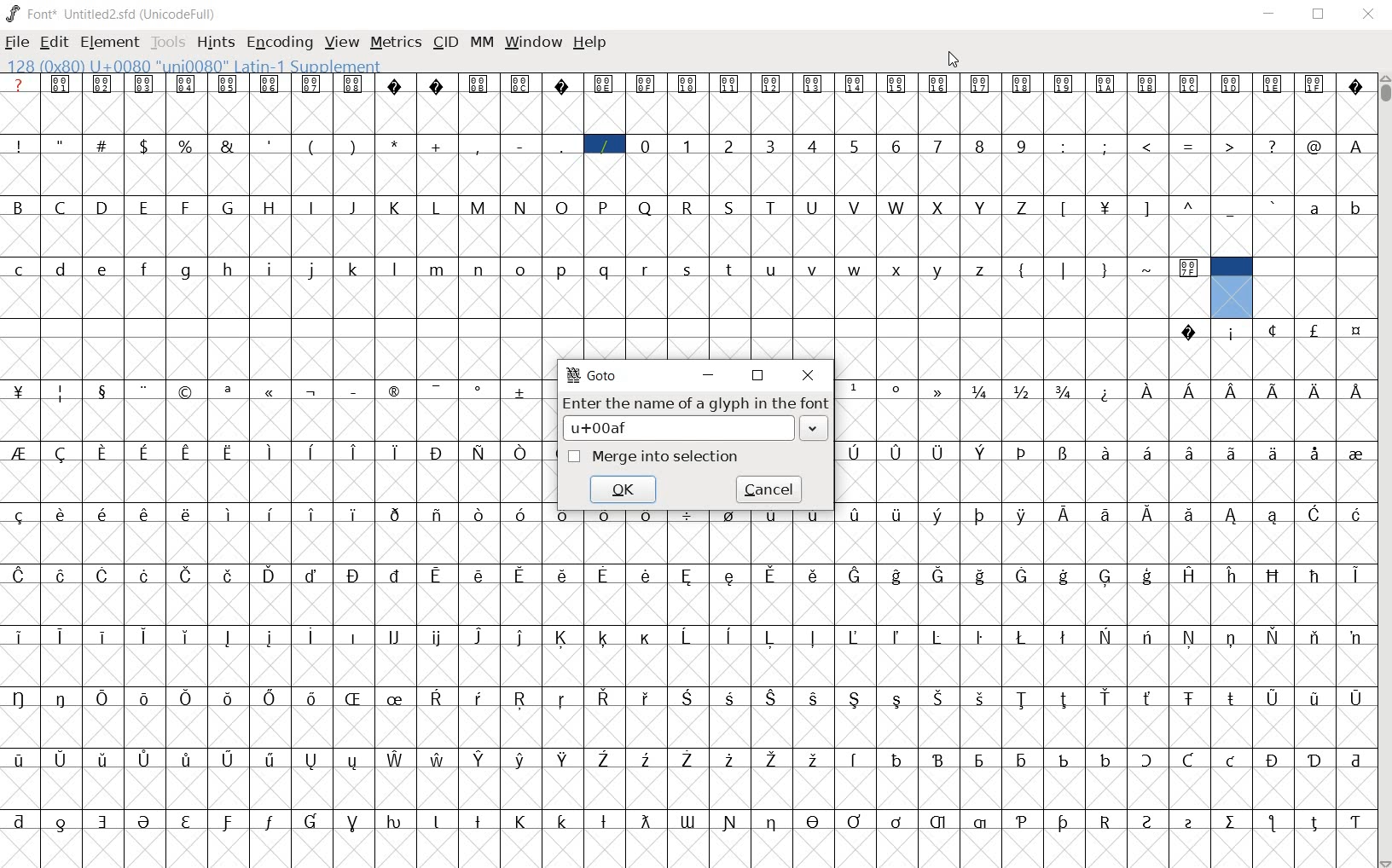  What do you see at coordinates (479, 83) in the screenshot?
I see `Symbol` at bounding box center [479, 83].